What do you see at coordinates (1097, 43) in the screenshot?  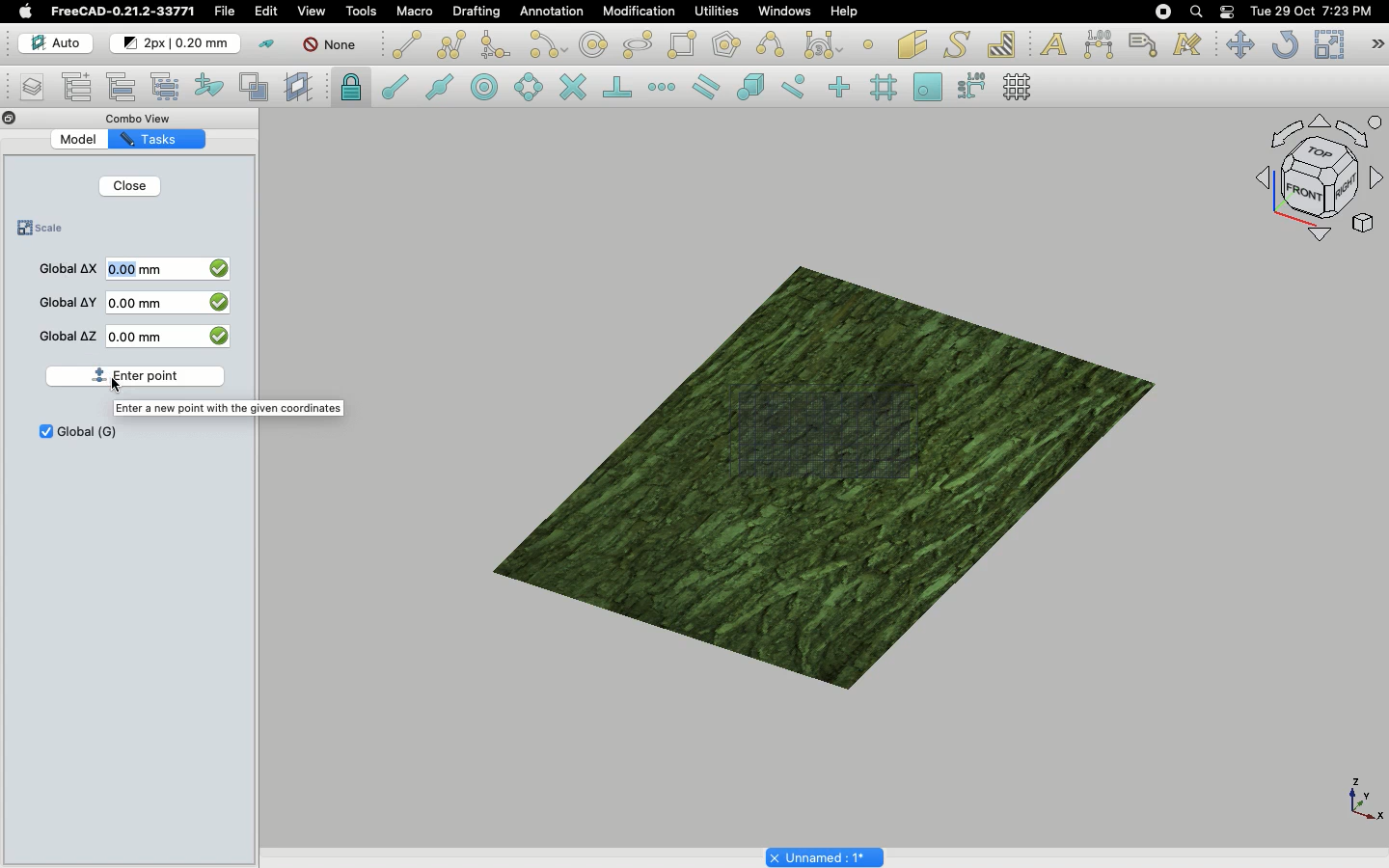 I see `Dimension` at bounding box center [1097, 43].